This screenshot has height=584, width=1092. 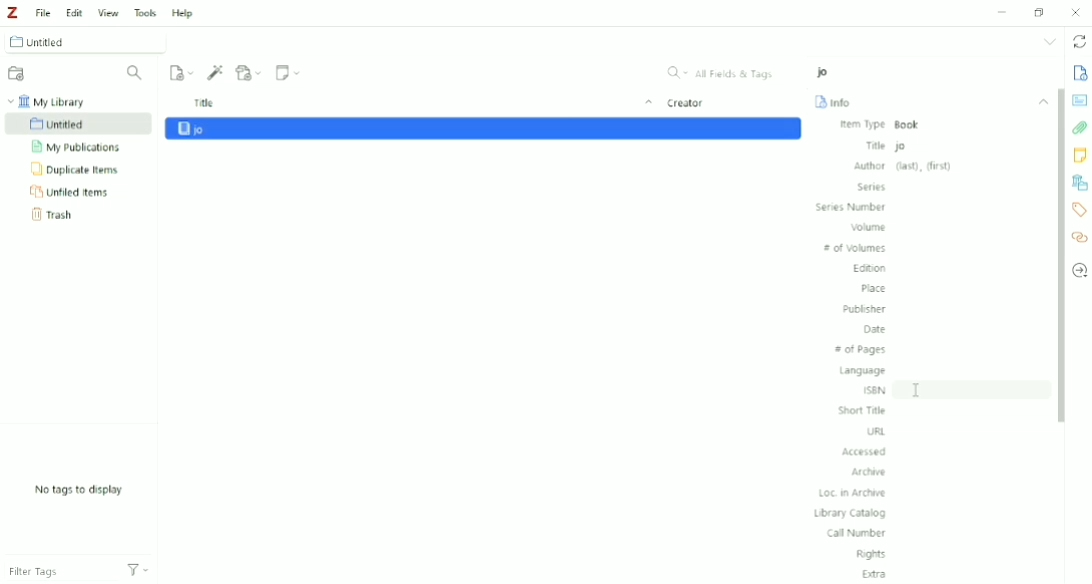 What do you see at coordinates (482, 129) in the screenshot?
I see `jo` at bounding box center [482, 129].